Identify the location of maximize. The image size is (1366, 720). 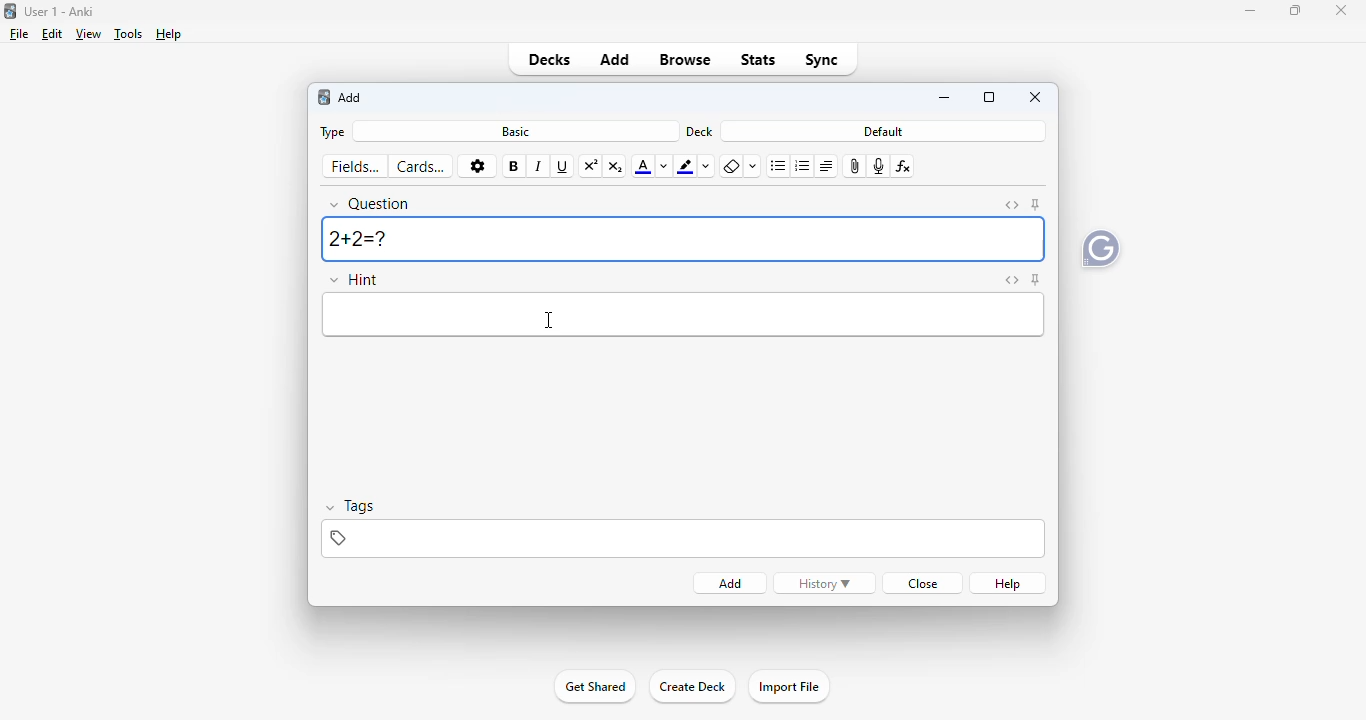
(989, 96).